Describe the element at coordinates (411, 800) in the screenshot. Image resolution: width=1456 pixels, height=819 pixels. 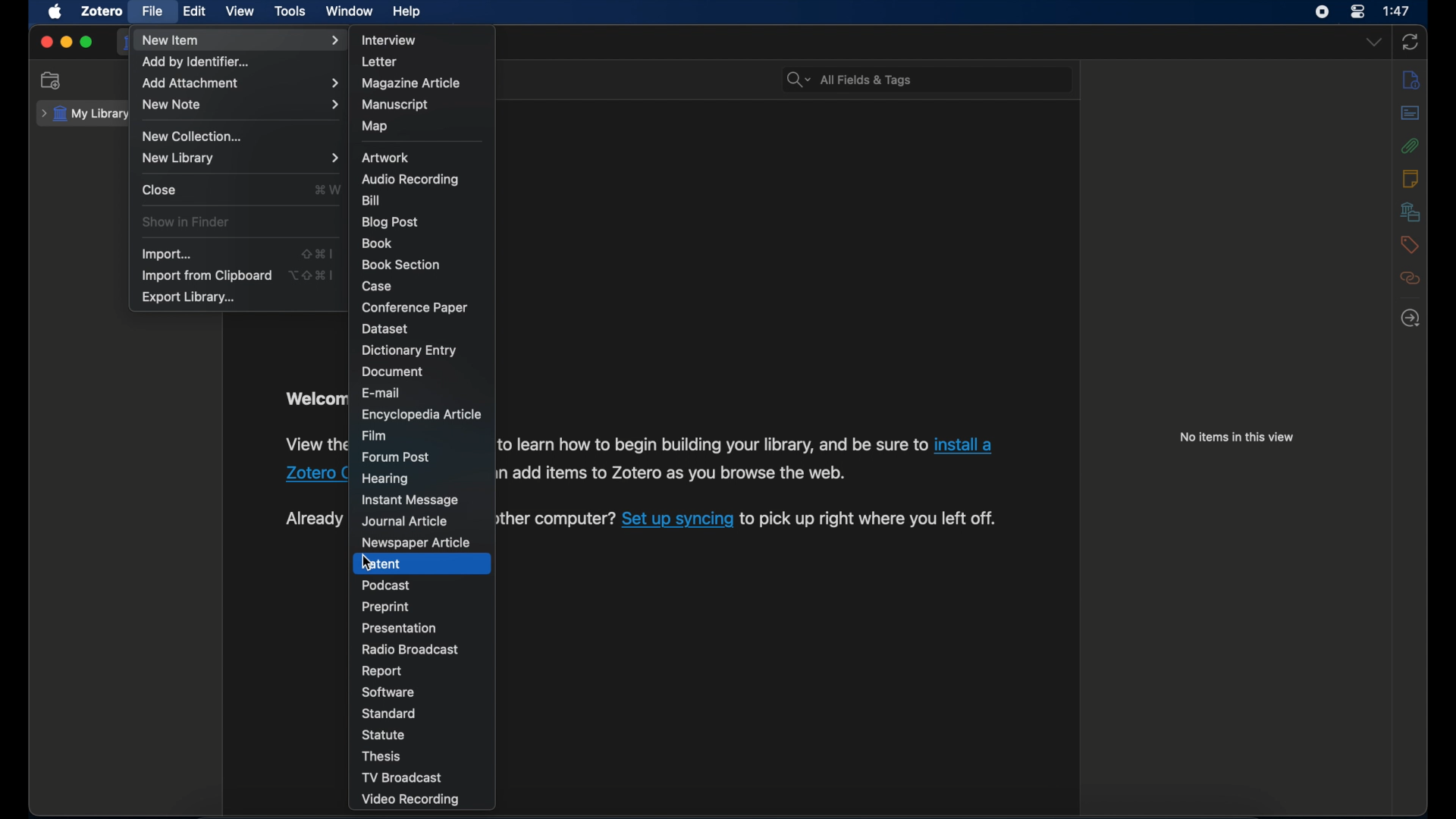
I see `video recording` at that location.